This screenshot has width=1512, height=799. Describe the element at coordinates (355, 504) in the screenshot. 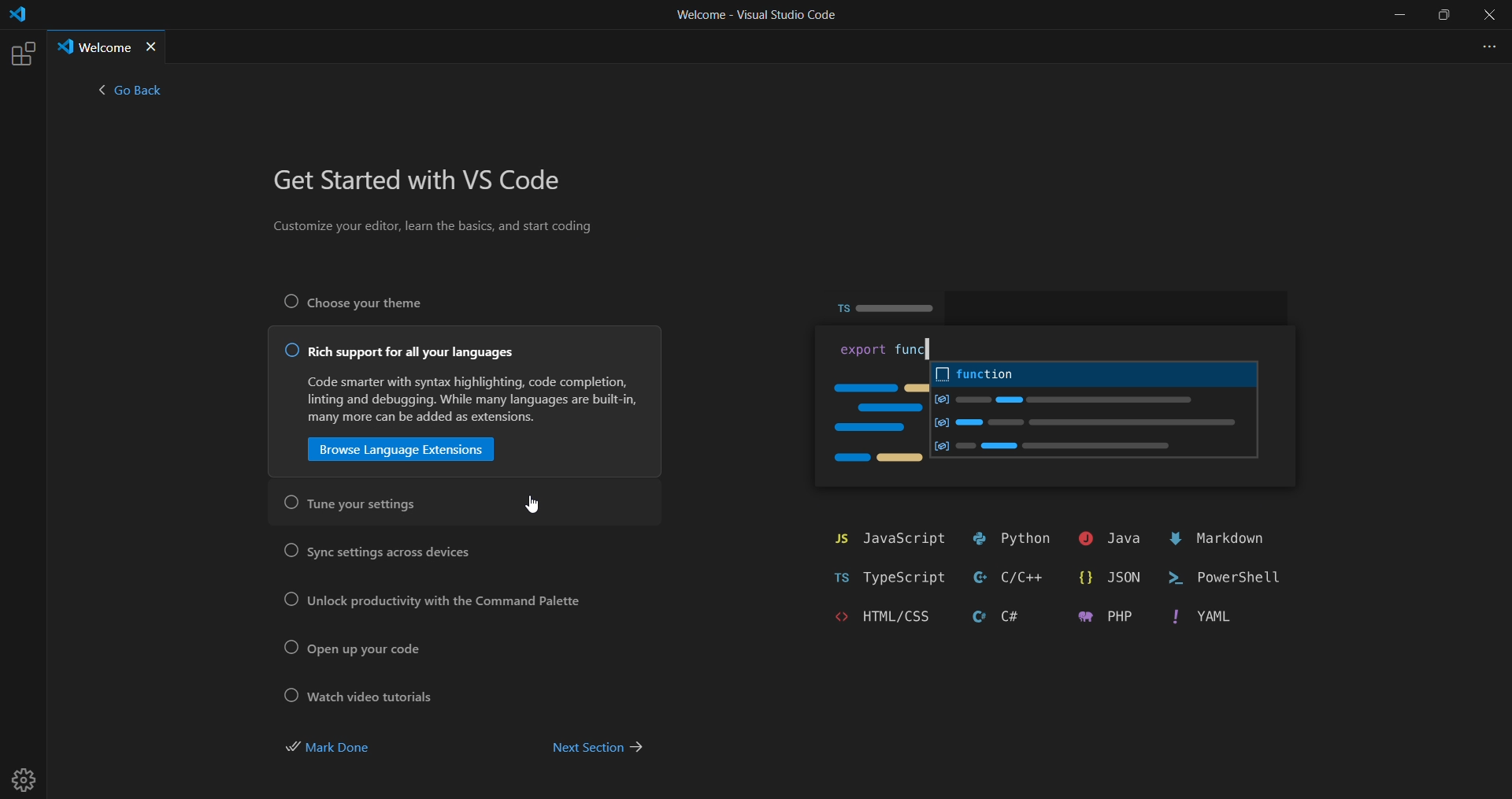

I see `tune your setting` at that location.